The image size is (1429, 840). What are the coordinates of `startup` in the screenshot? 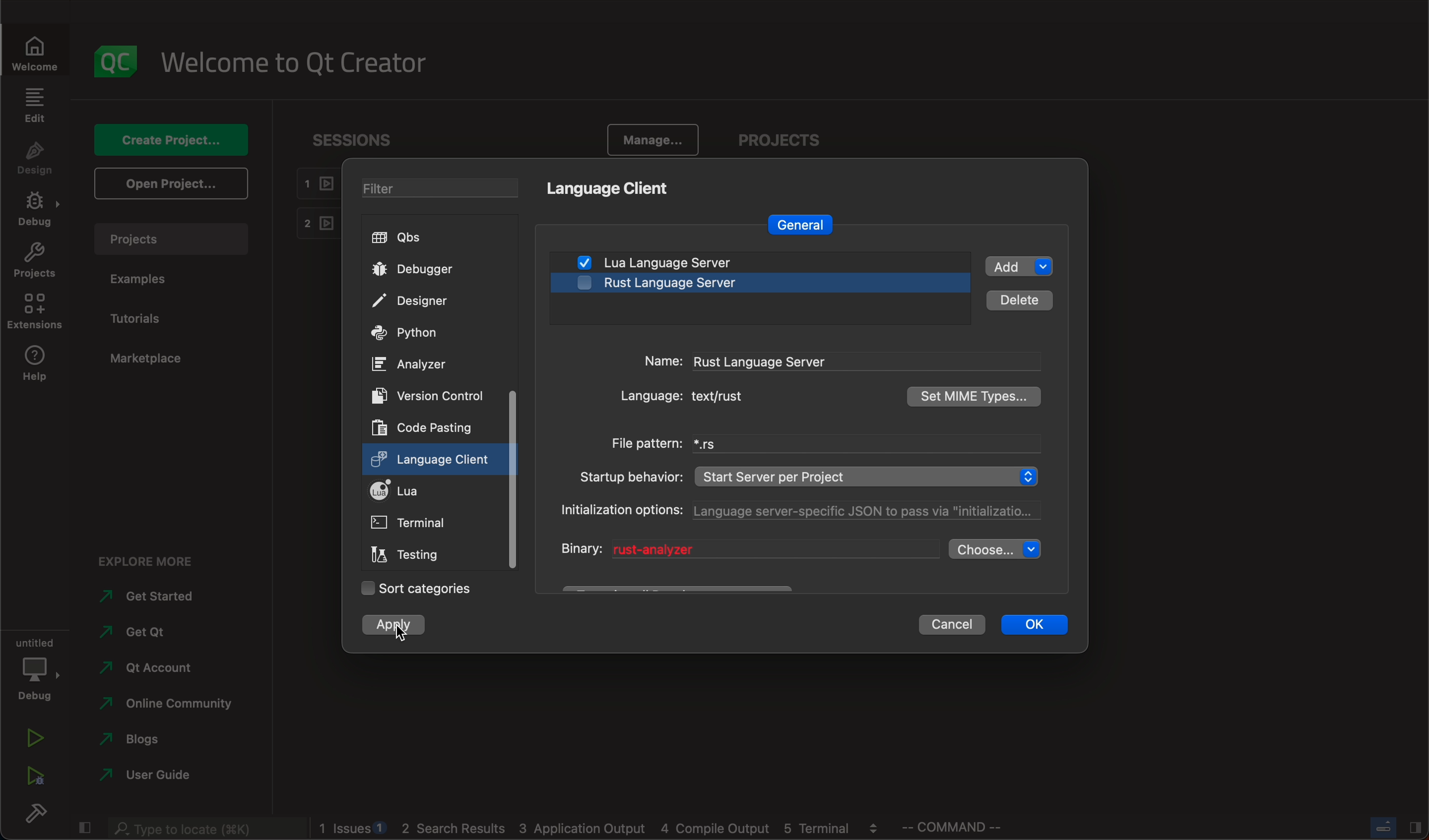 It's located at (809, 474).